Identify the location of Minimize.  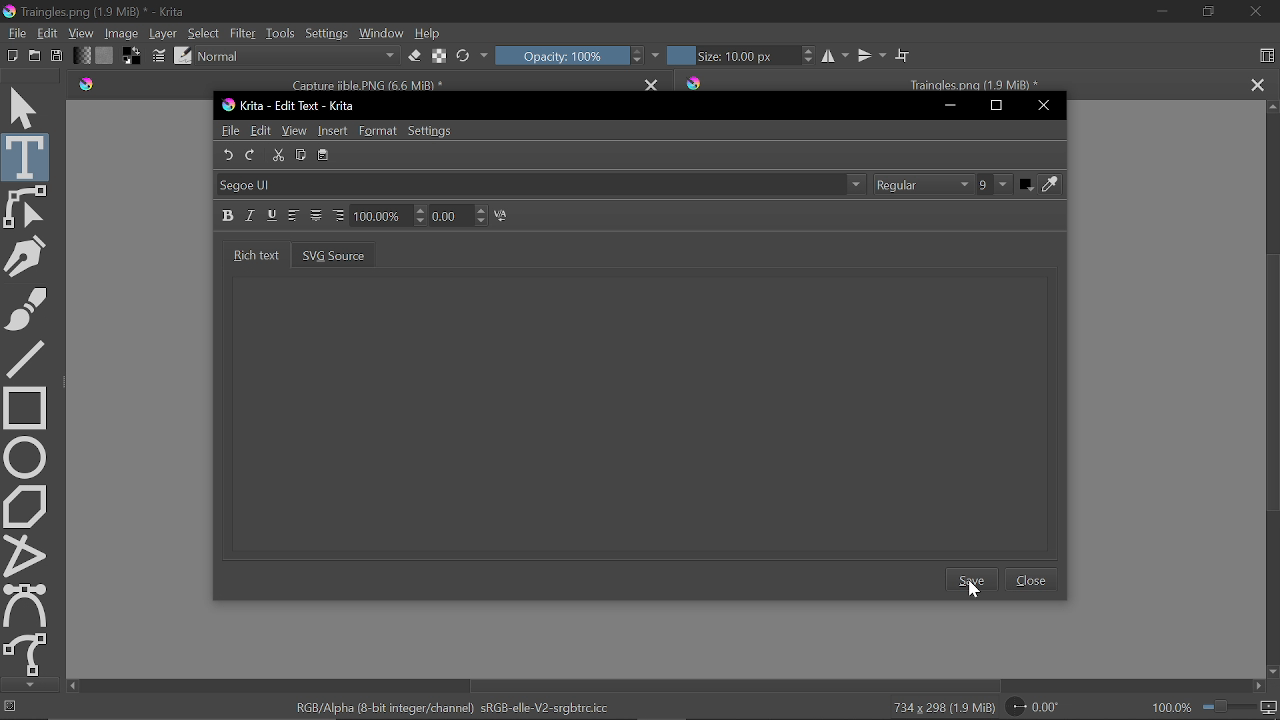
(947, 104).